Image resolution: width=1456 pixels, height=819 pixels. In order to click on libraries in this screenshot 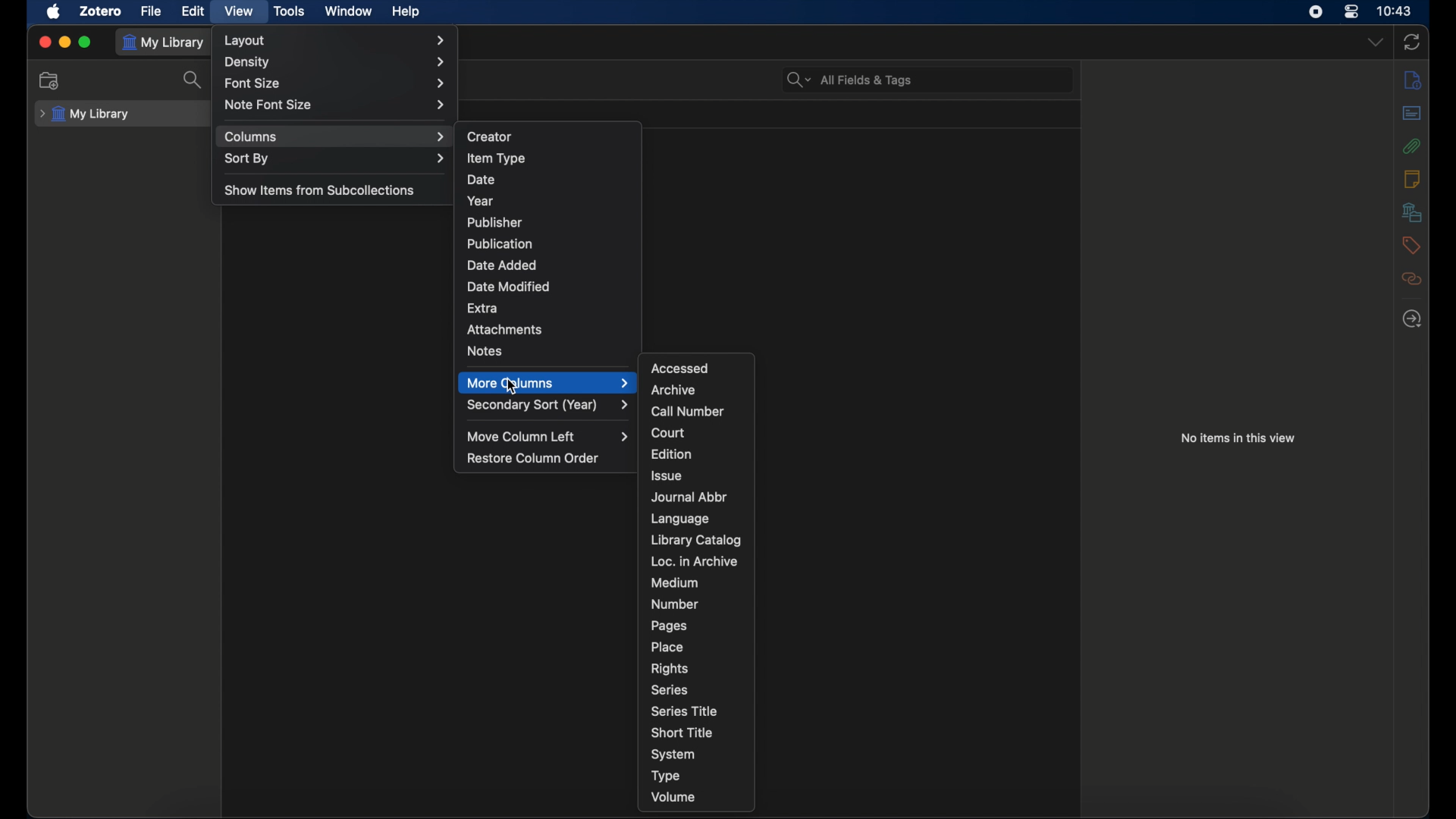, I will do `click(1411, 212)`.